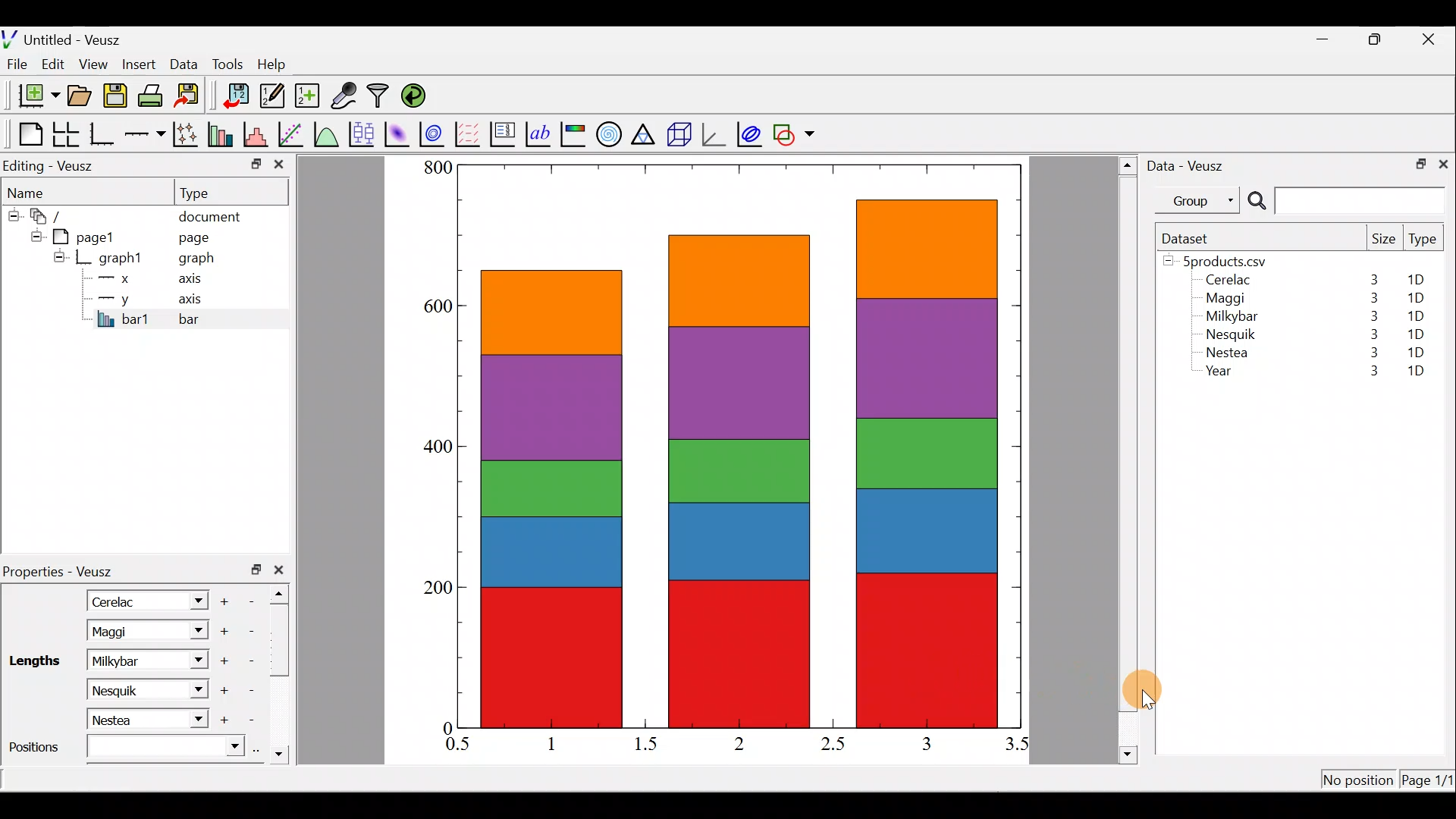  Describe the element at coordinates (470, 134) in the screenshot. I see `Plot a vector field` at that location.